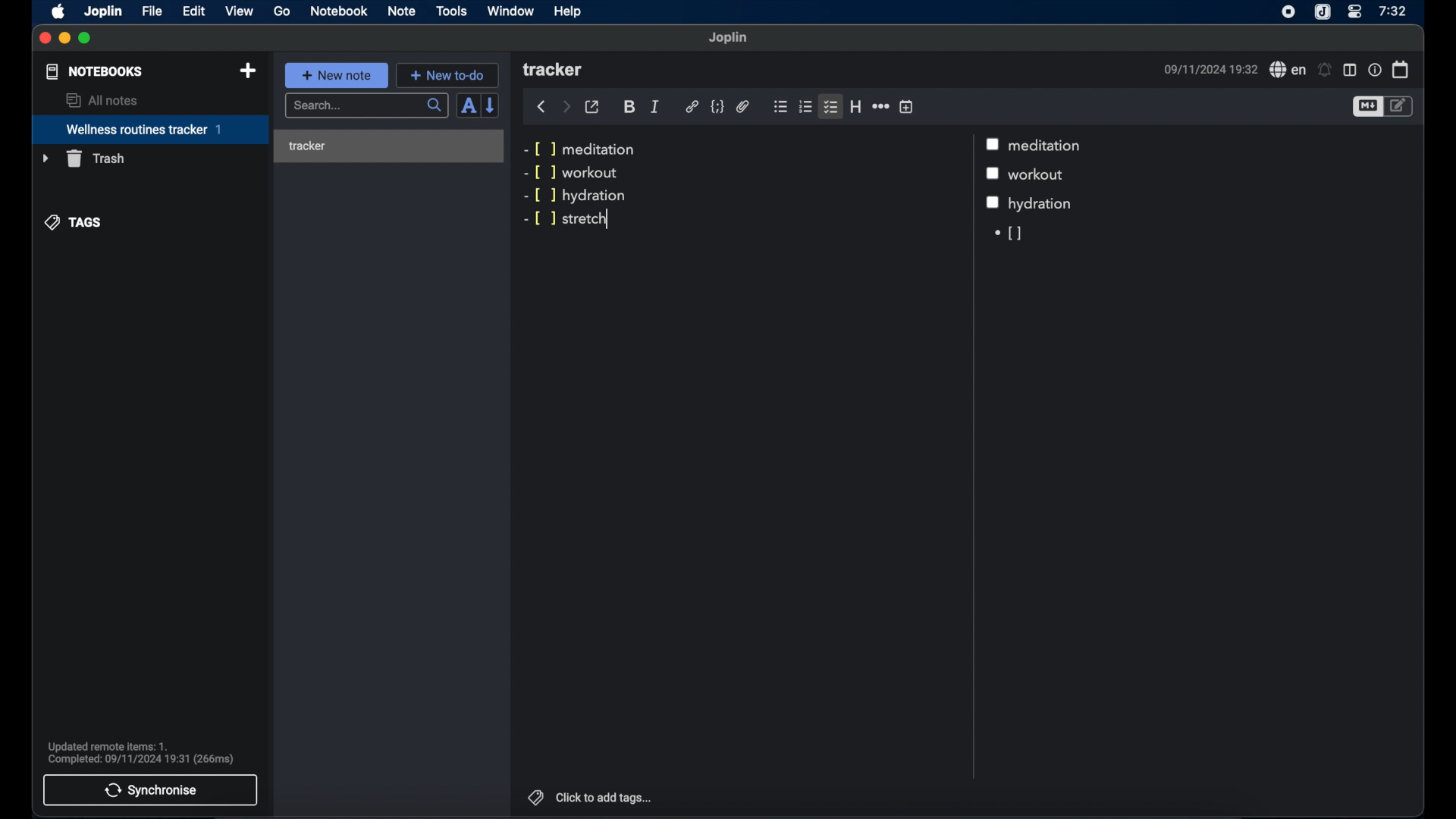 The image size is (1456, 819). What do you see at coordinates (1006, 234) in the screenshot?
I see `[]` at bounding box center [1006, 234].